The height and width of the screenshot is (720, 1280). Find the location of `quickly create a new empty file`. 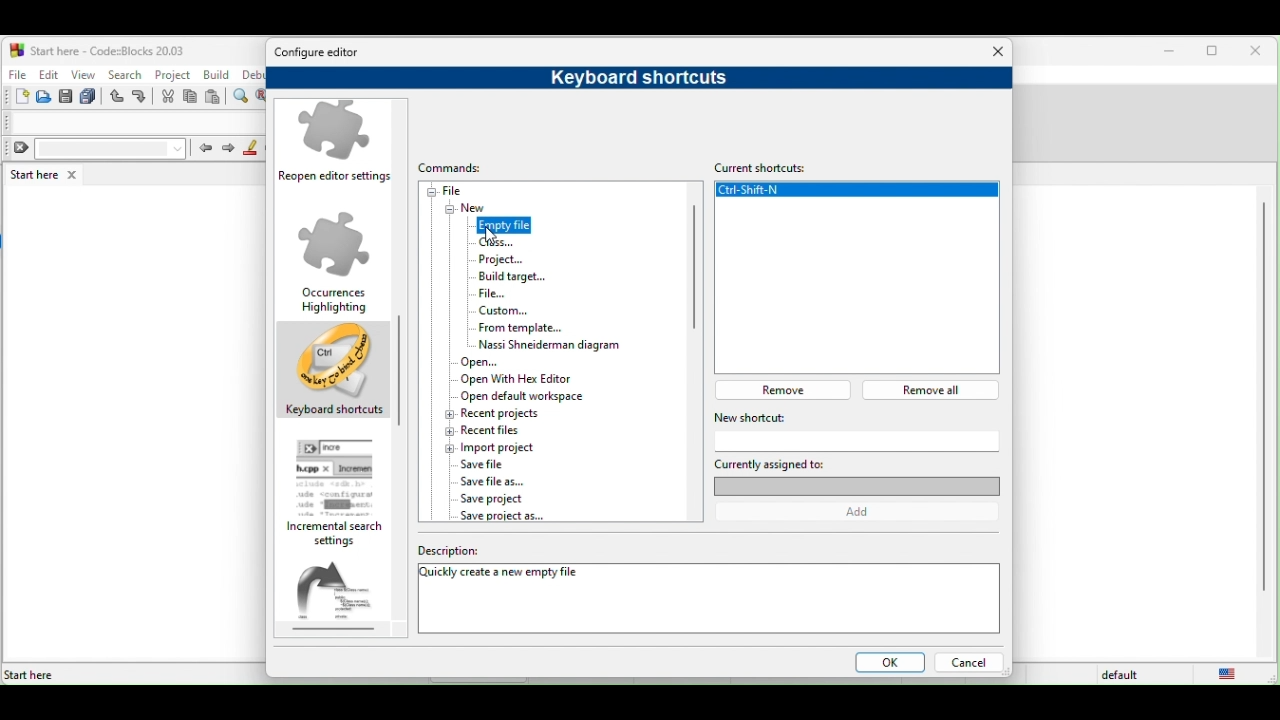

quickly create a new empty file is located at coordinates (503, 575).